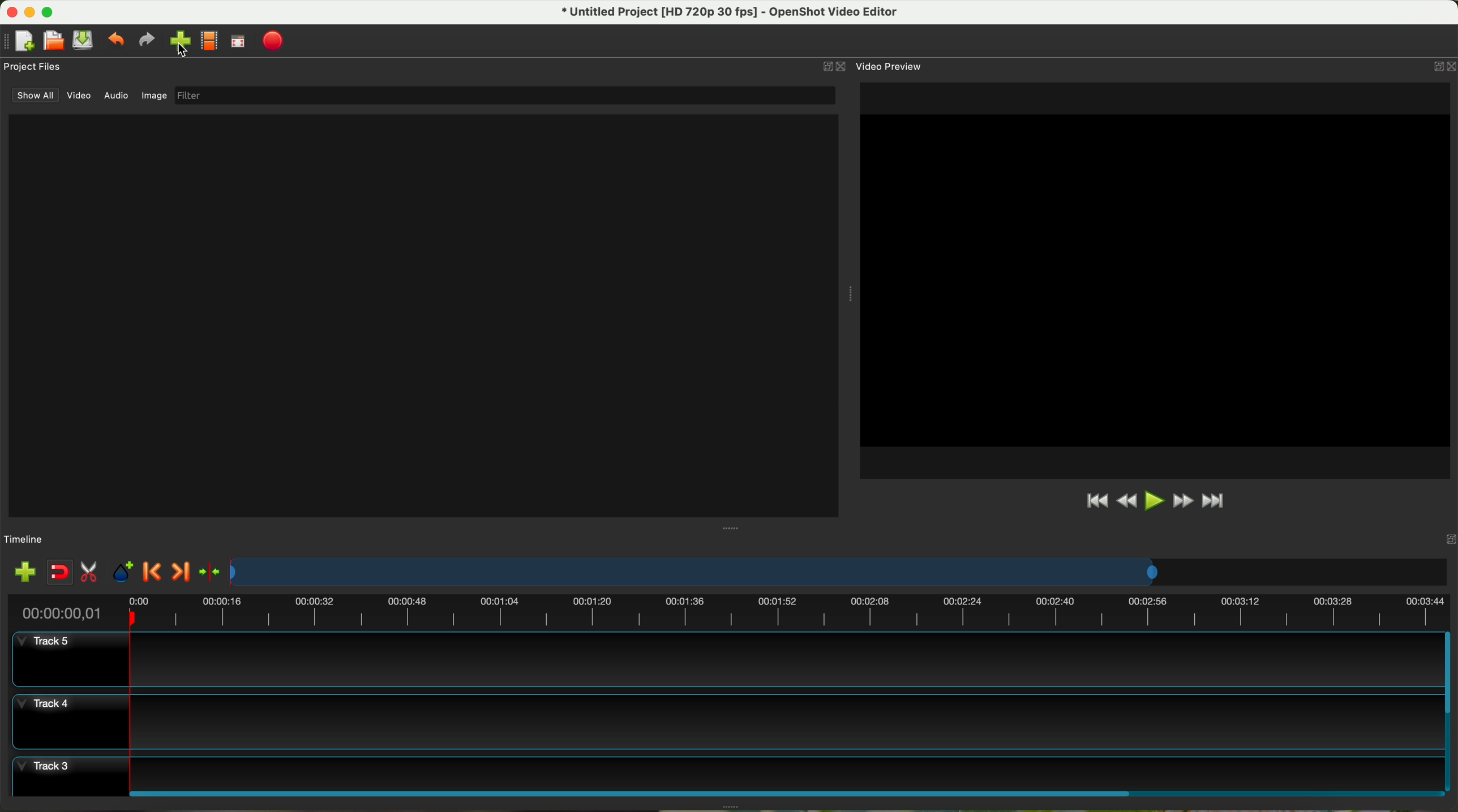 The height and width of the screenshot is (812, 1458). Describe the element at coordinates (273, 42) in the screenshot. I see `export video` at that location.